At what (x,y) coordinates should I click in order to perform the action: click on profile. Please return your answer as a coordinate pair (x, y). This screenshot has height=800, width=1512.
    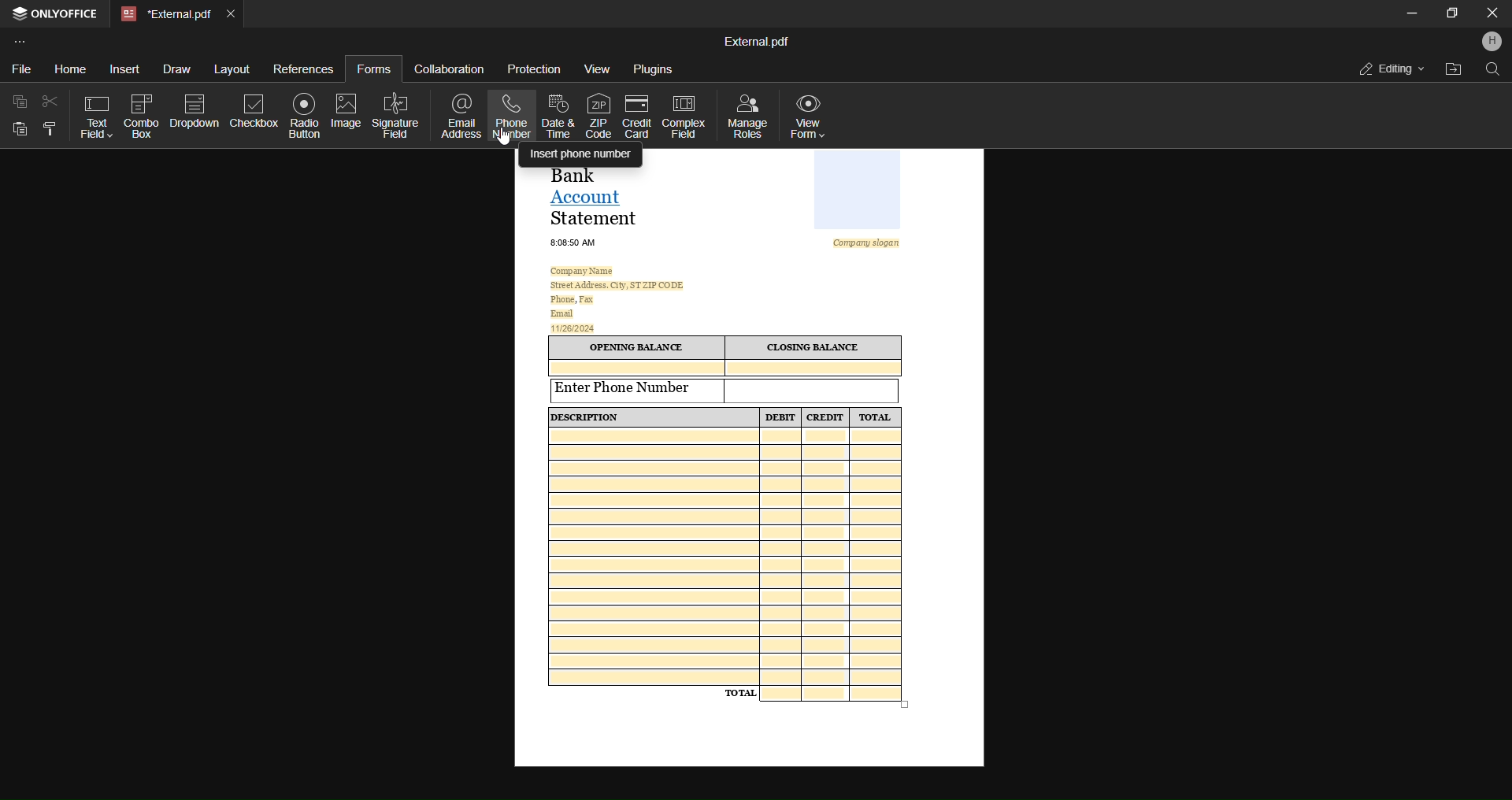
    Looking at the image, I should click on (1491, 43).